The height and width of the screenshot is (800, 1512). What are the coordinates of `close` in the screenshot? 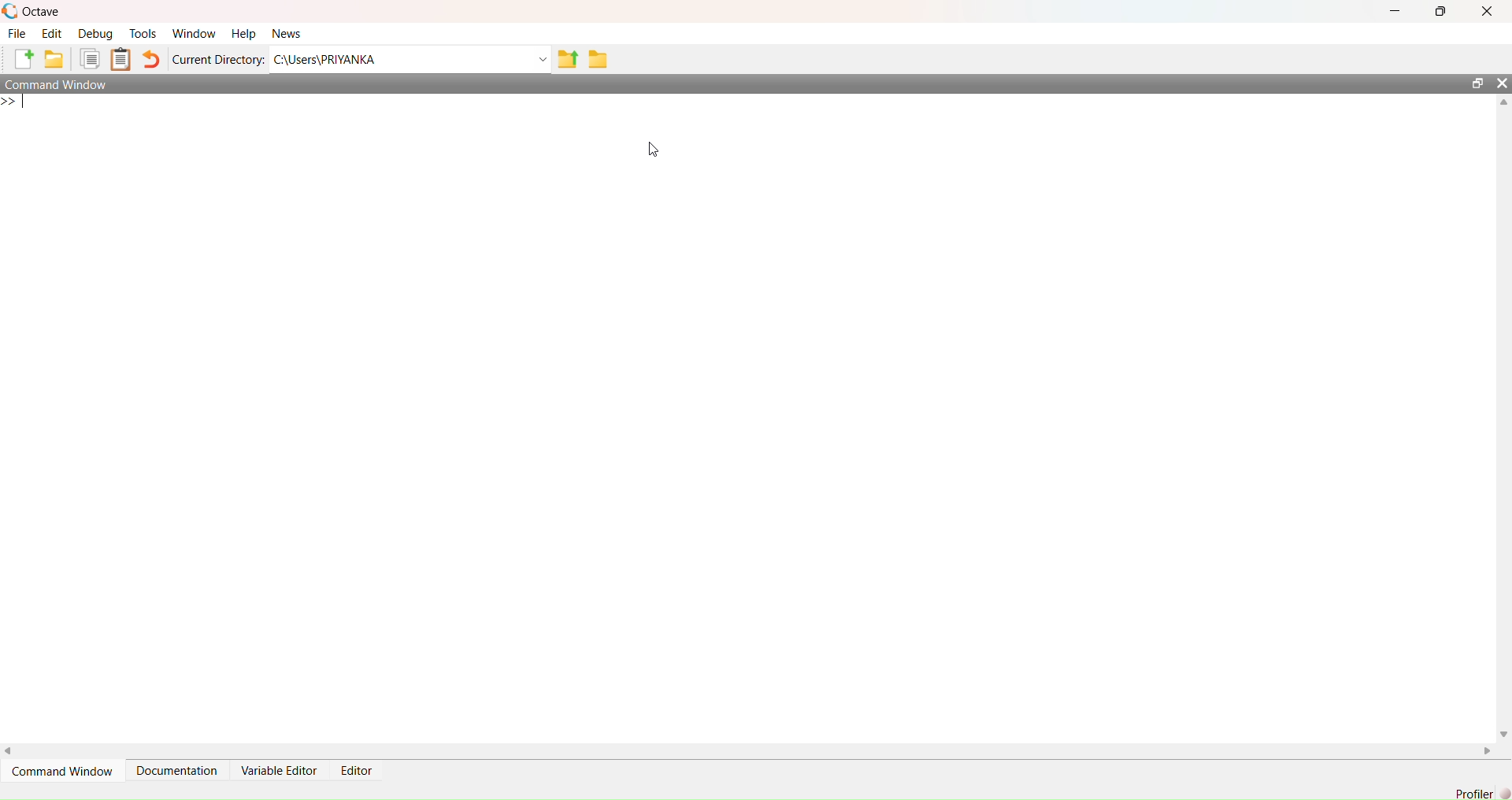 It's located at (1503, 83).